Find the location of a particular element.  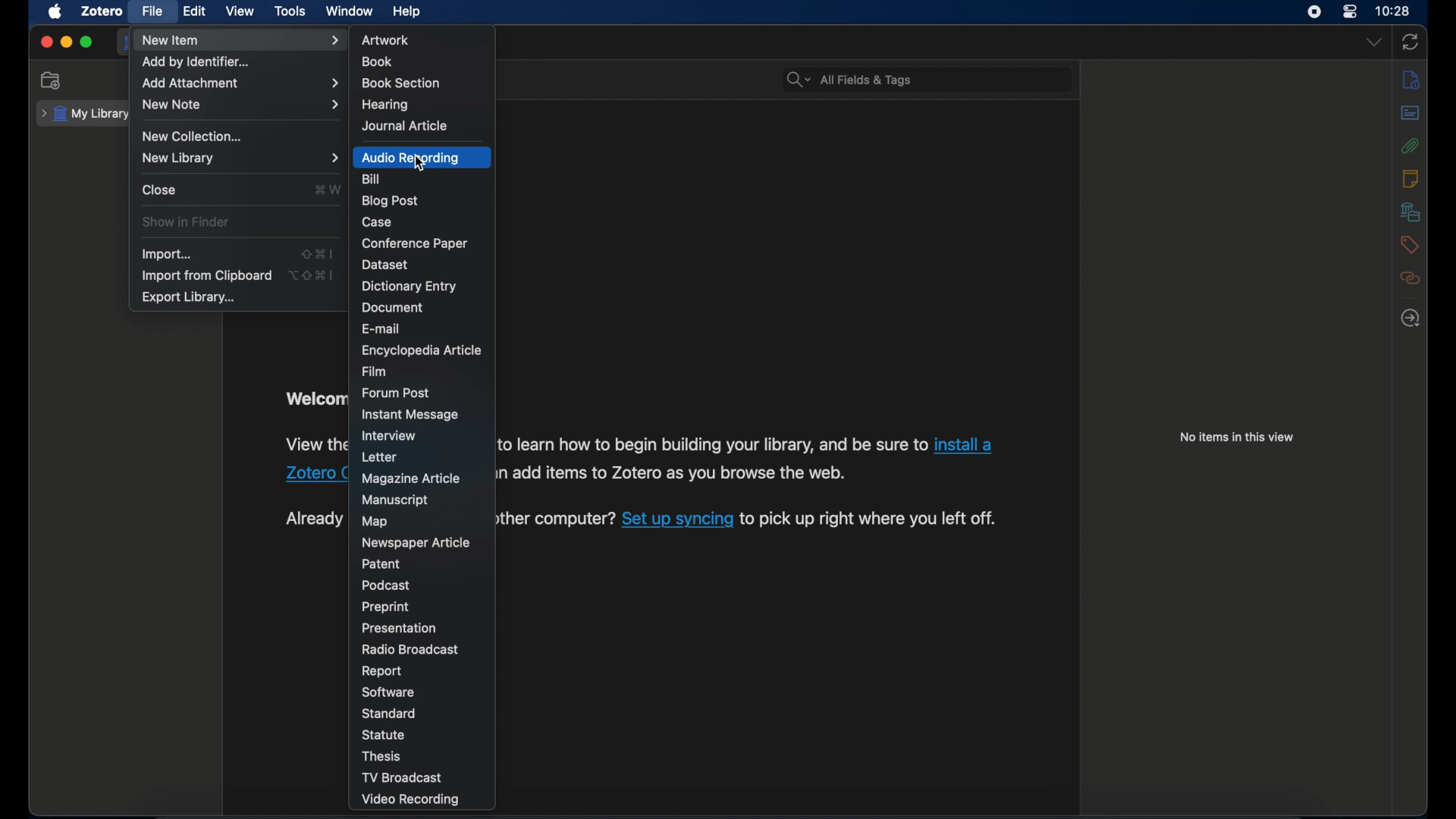

add attachments is located at coordinates (240, 83).